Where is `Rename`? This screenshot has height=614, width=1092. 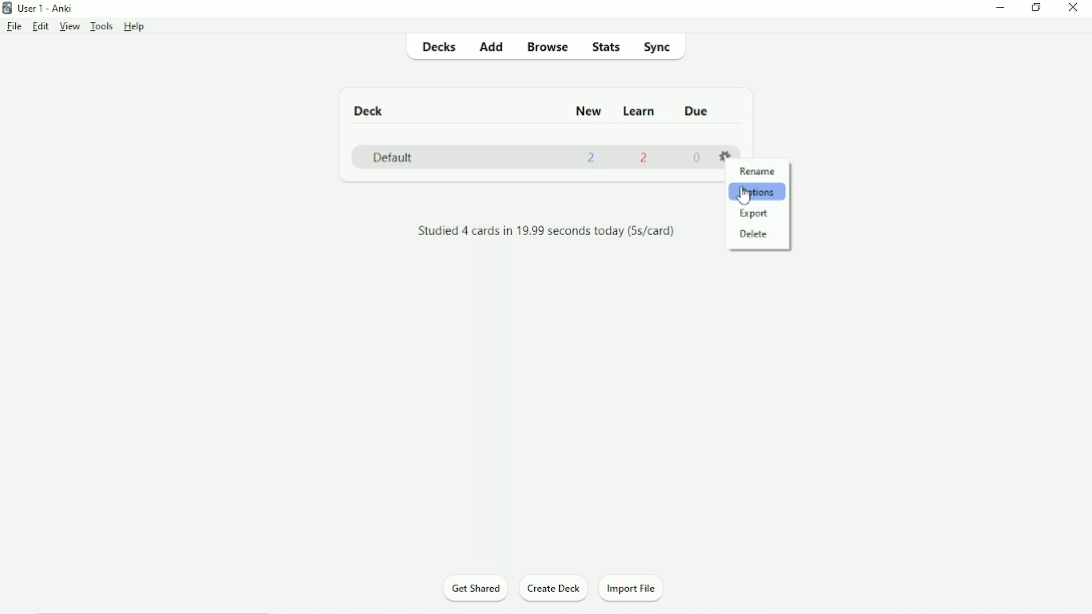 Rename is located at coordinates (758, 170).